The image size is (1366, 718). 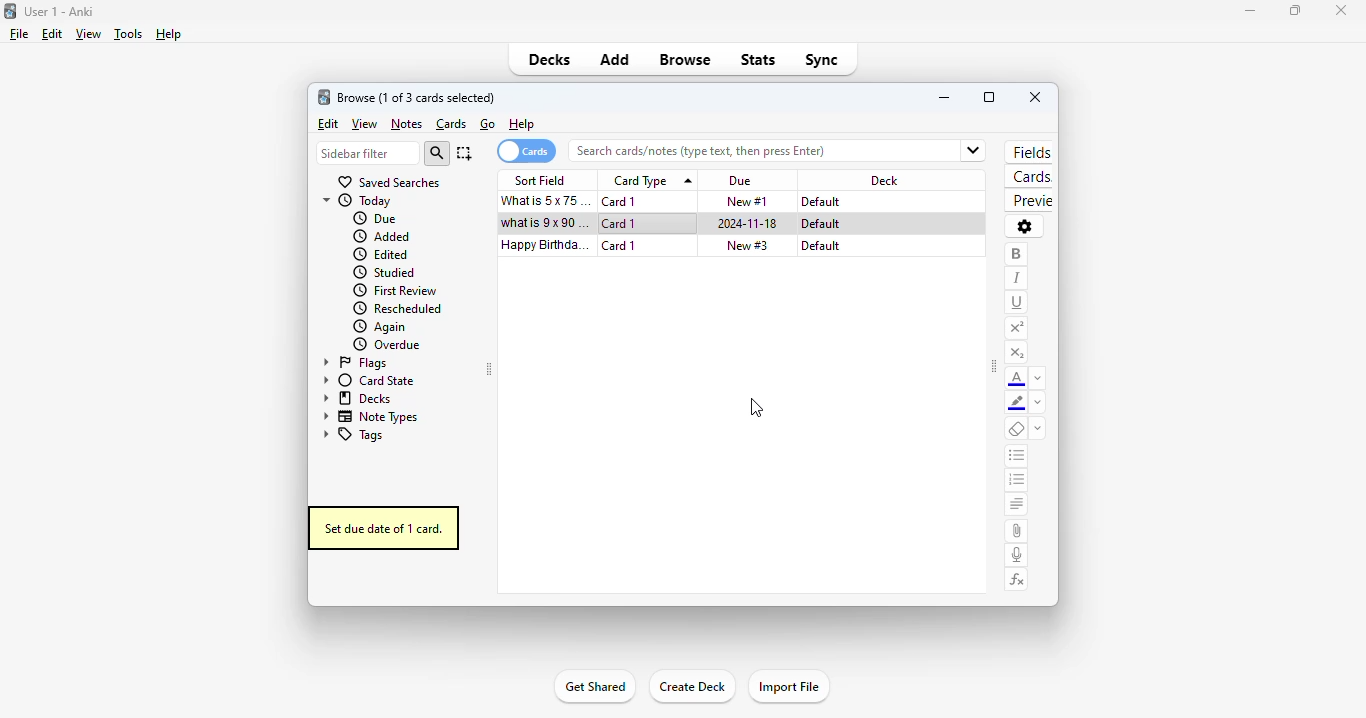 I want to click on remove color, so click(x=1038, y=404).